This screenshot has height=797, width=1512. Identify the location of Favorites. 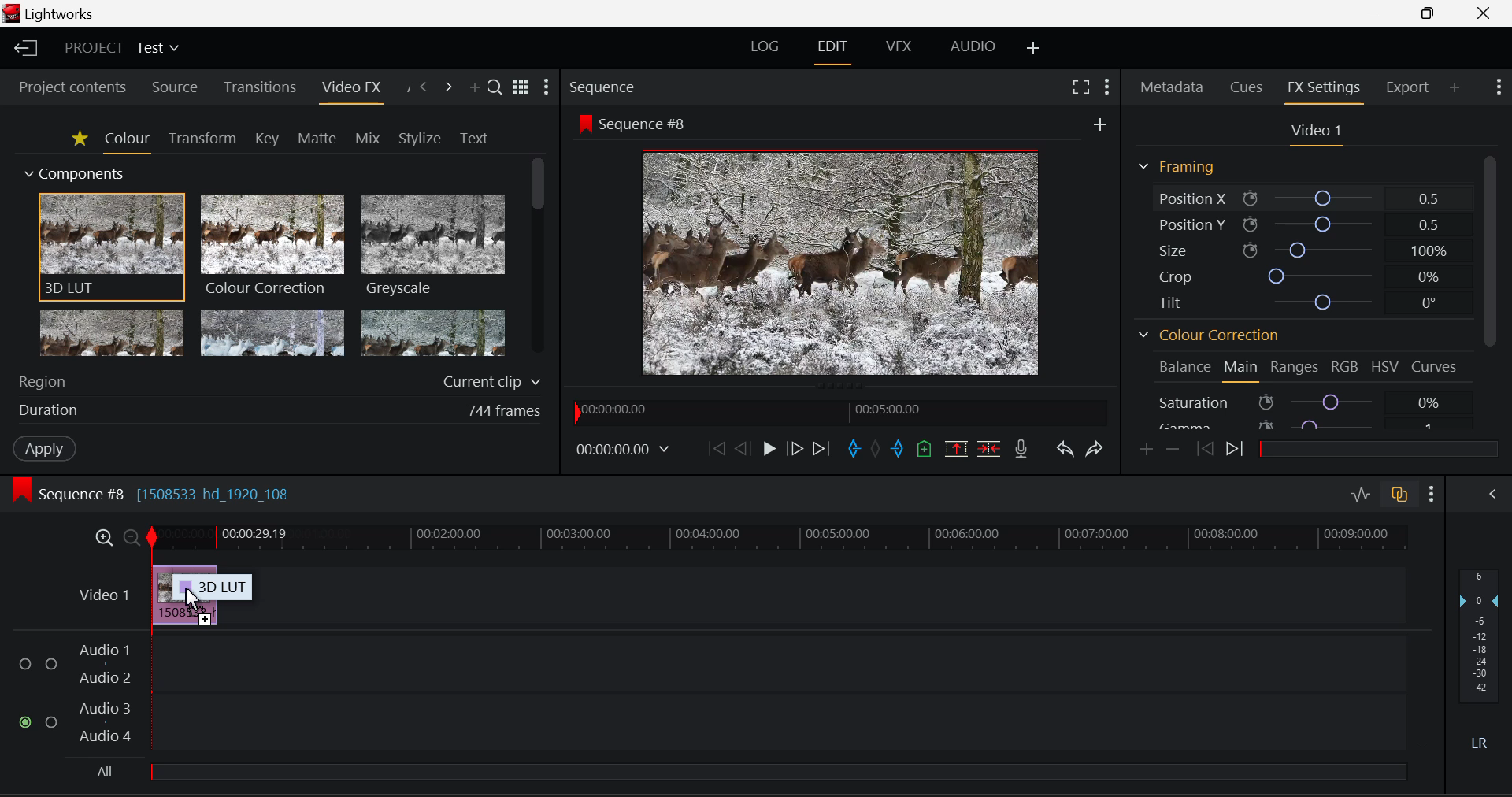
(80, 140).